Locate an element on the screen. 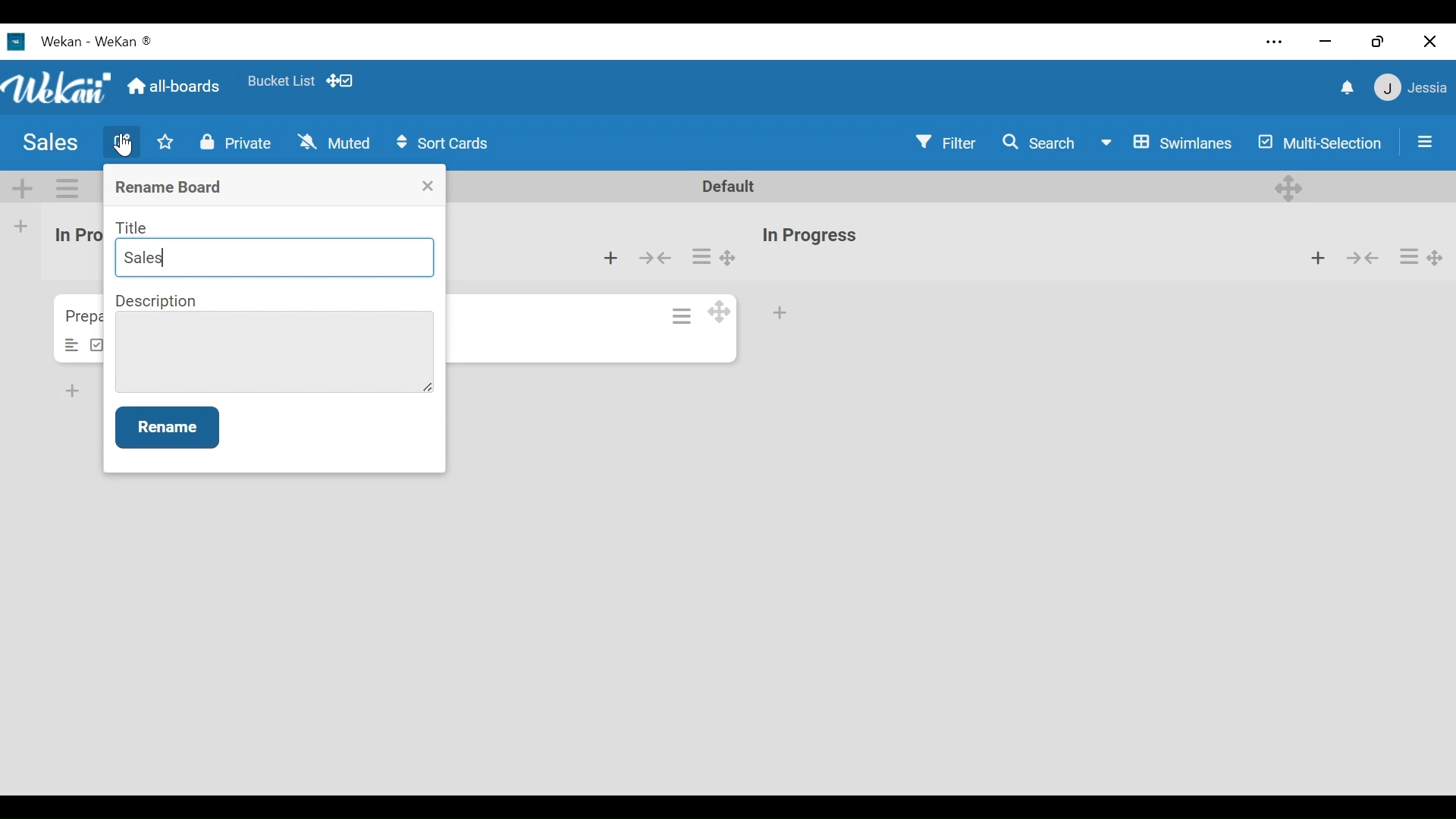 The height and width of the screenshot is (819, 1456). Multi Selection is located at coordinates (1321, 145).